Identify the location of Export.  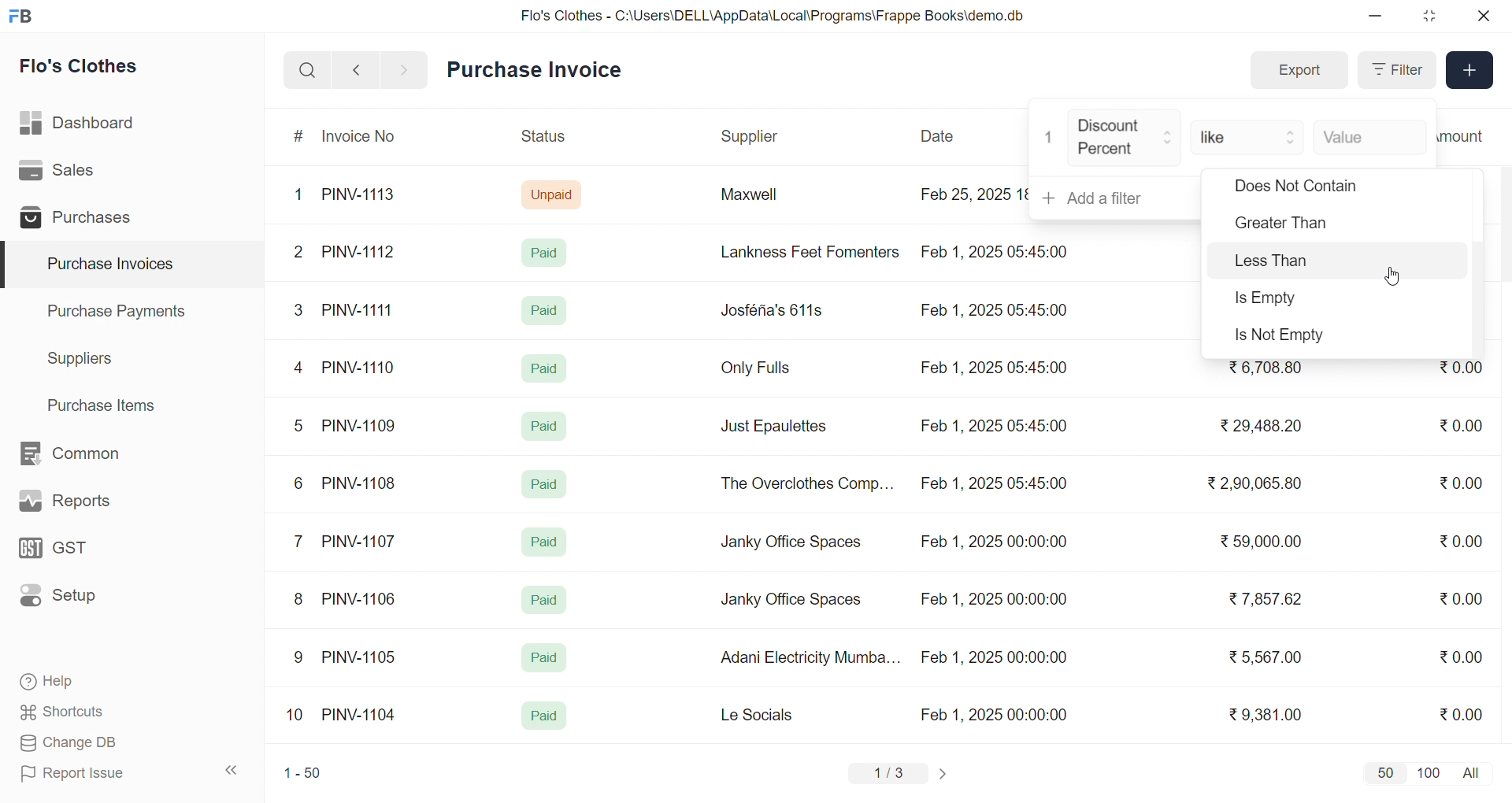
(1299, 71).